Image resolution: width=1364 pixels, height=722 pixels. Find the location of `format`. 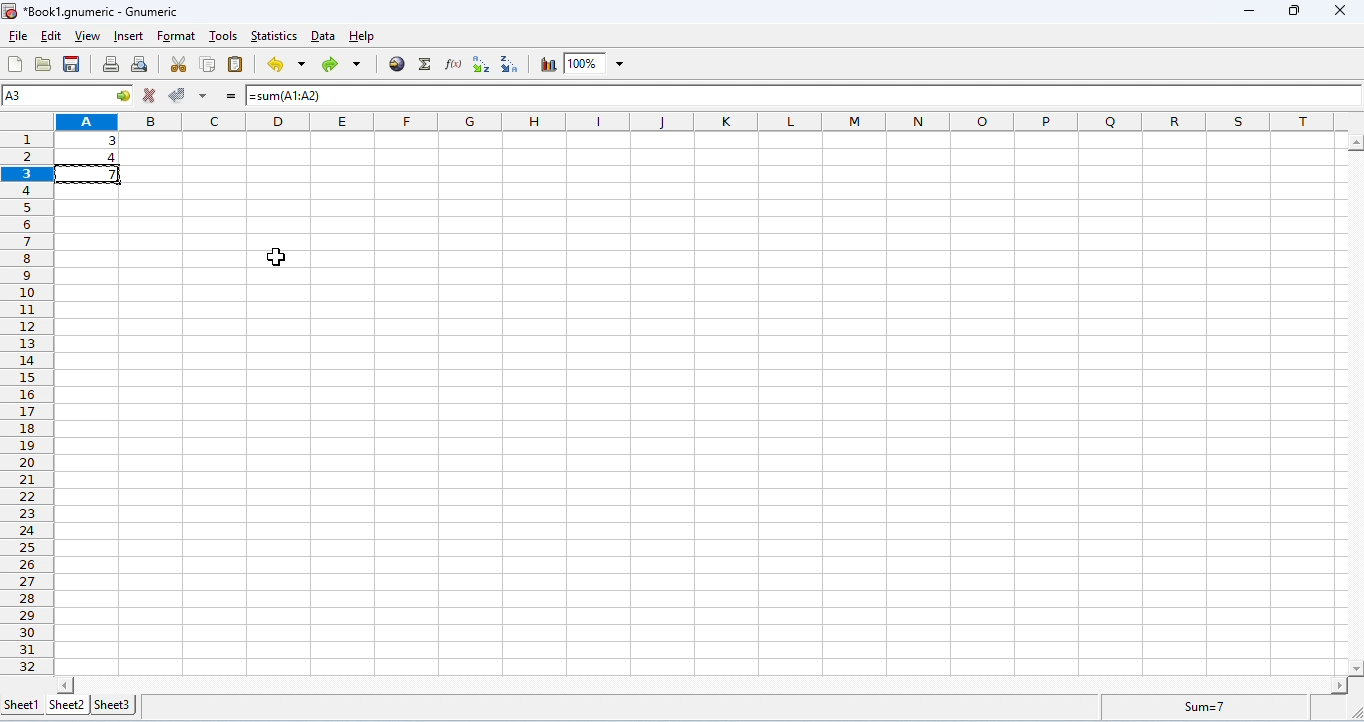

format is located at coordinates (177, 37).